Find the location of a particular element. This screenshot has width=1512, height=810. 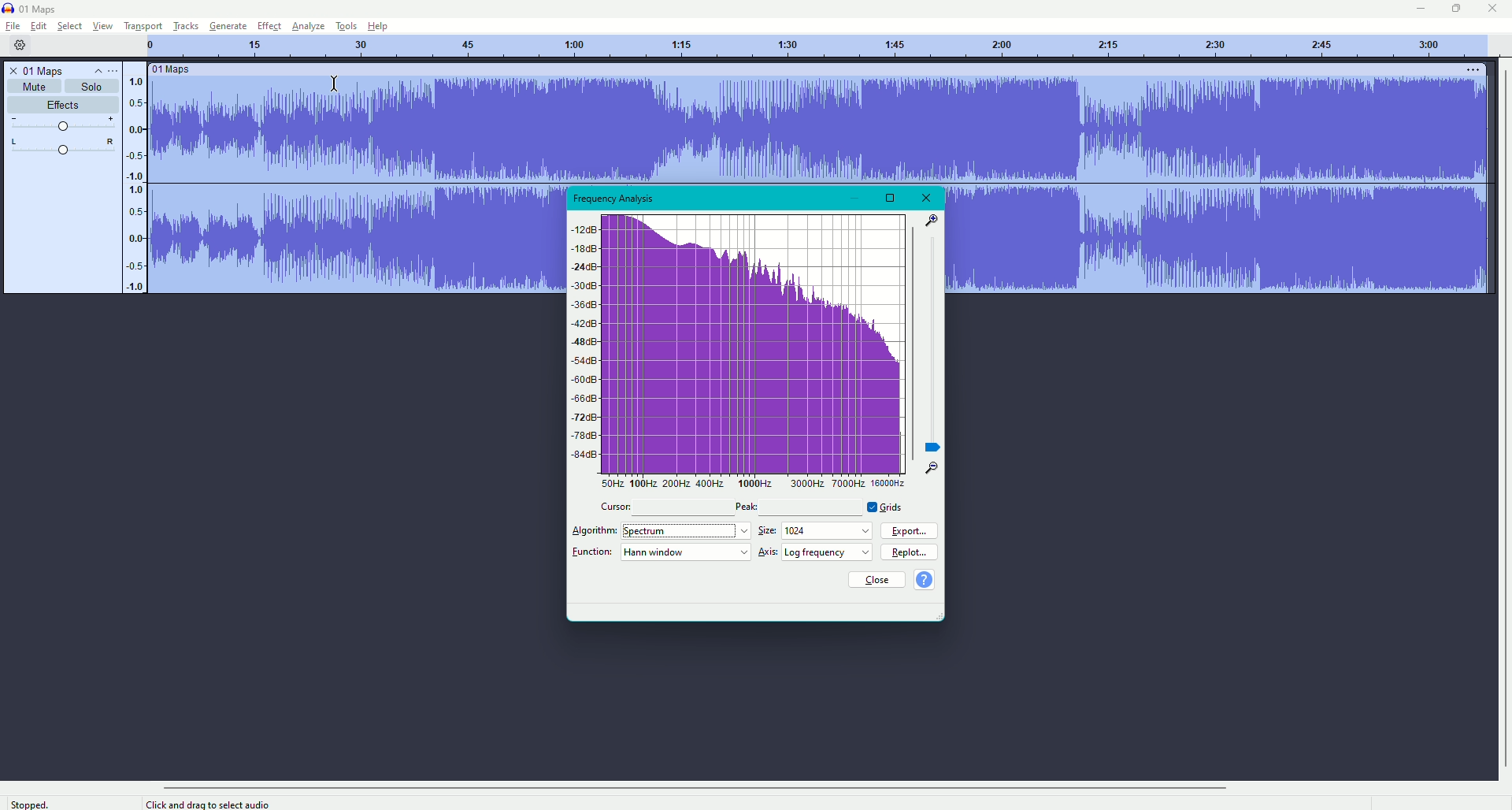

Replot is located at coordinates (912, 552).